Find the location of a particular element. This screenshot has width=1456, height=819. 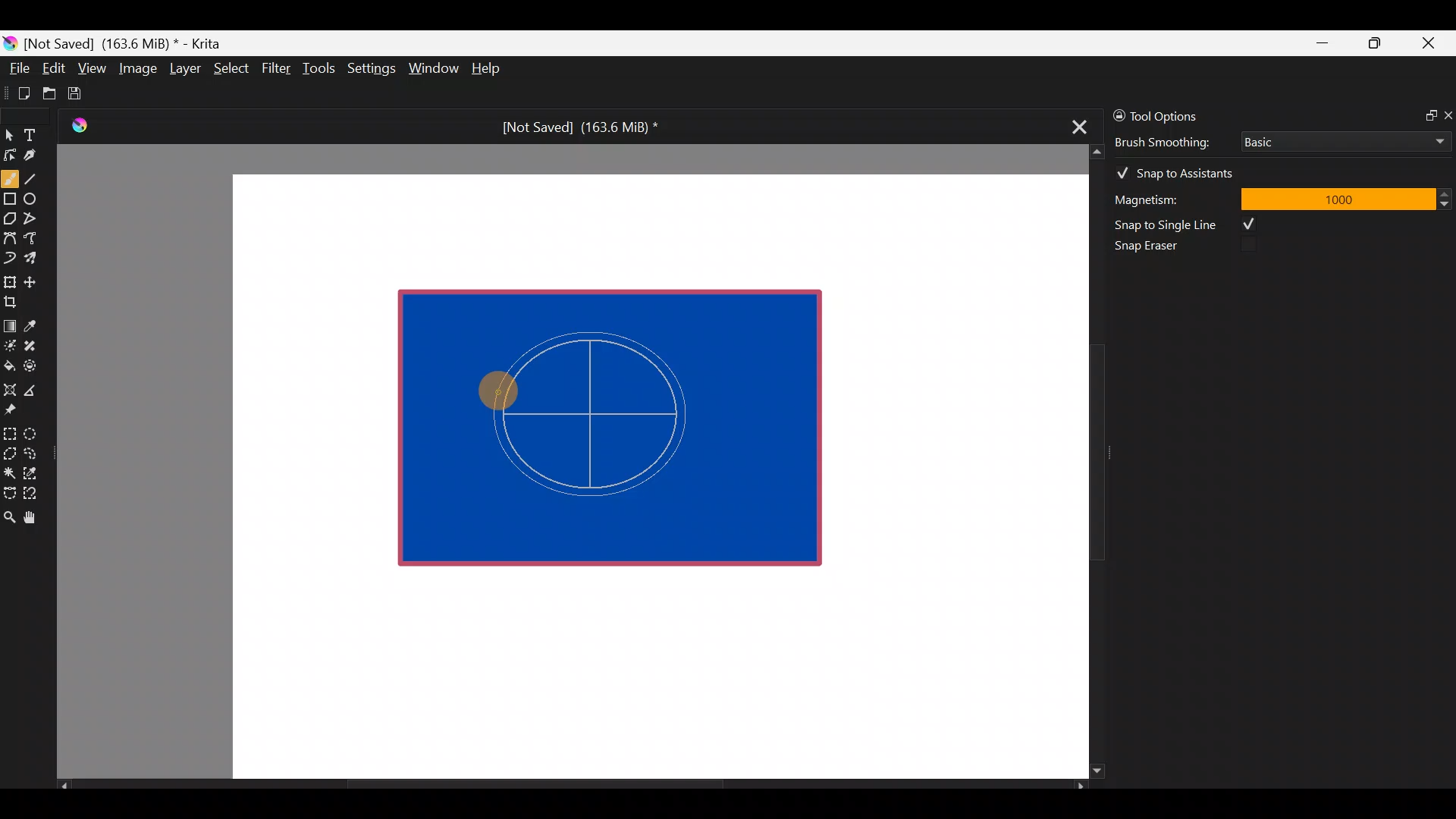

View is located at coordinates (93, 68).